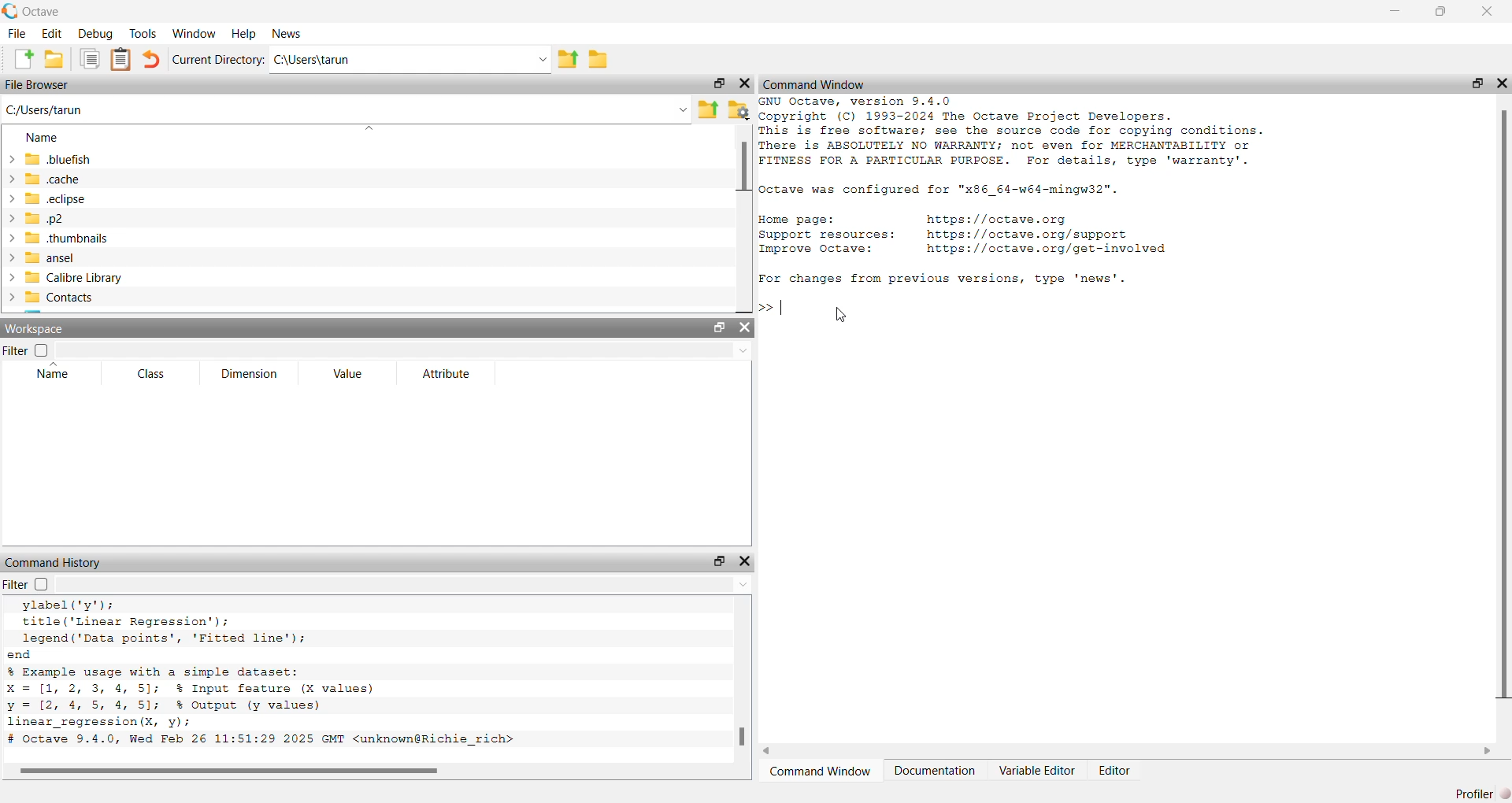 This screenshot has width=1512, height=803. I want to click on close, so click(1495, 9).